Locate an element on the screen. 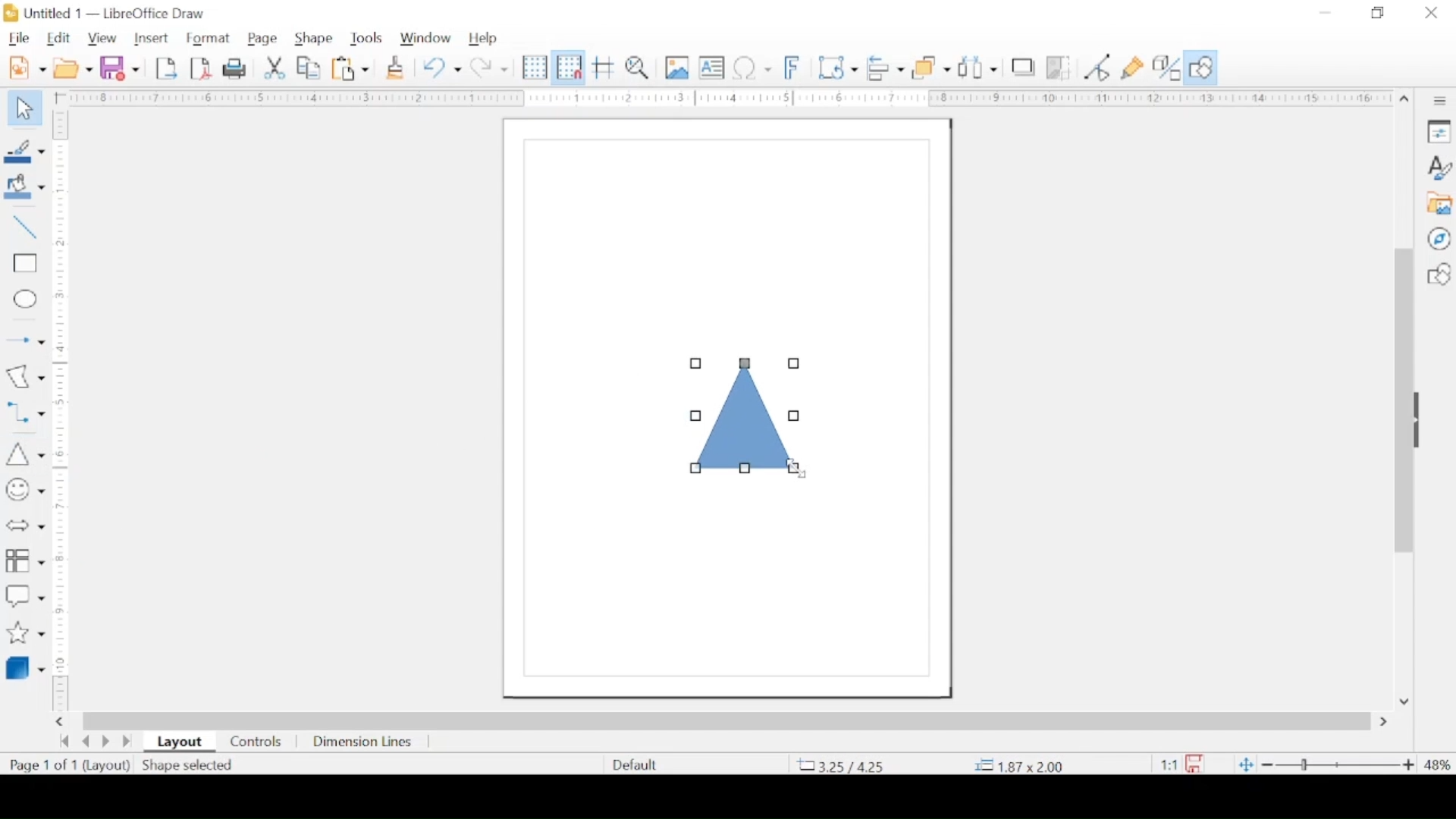 This screenshot has height=819, width=1456. next page is located at coordinates (105, 743).